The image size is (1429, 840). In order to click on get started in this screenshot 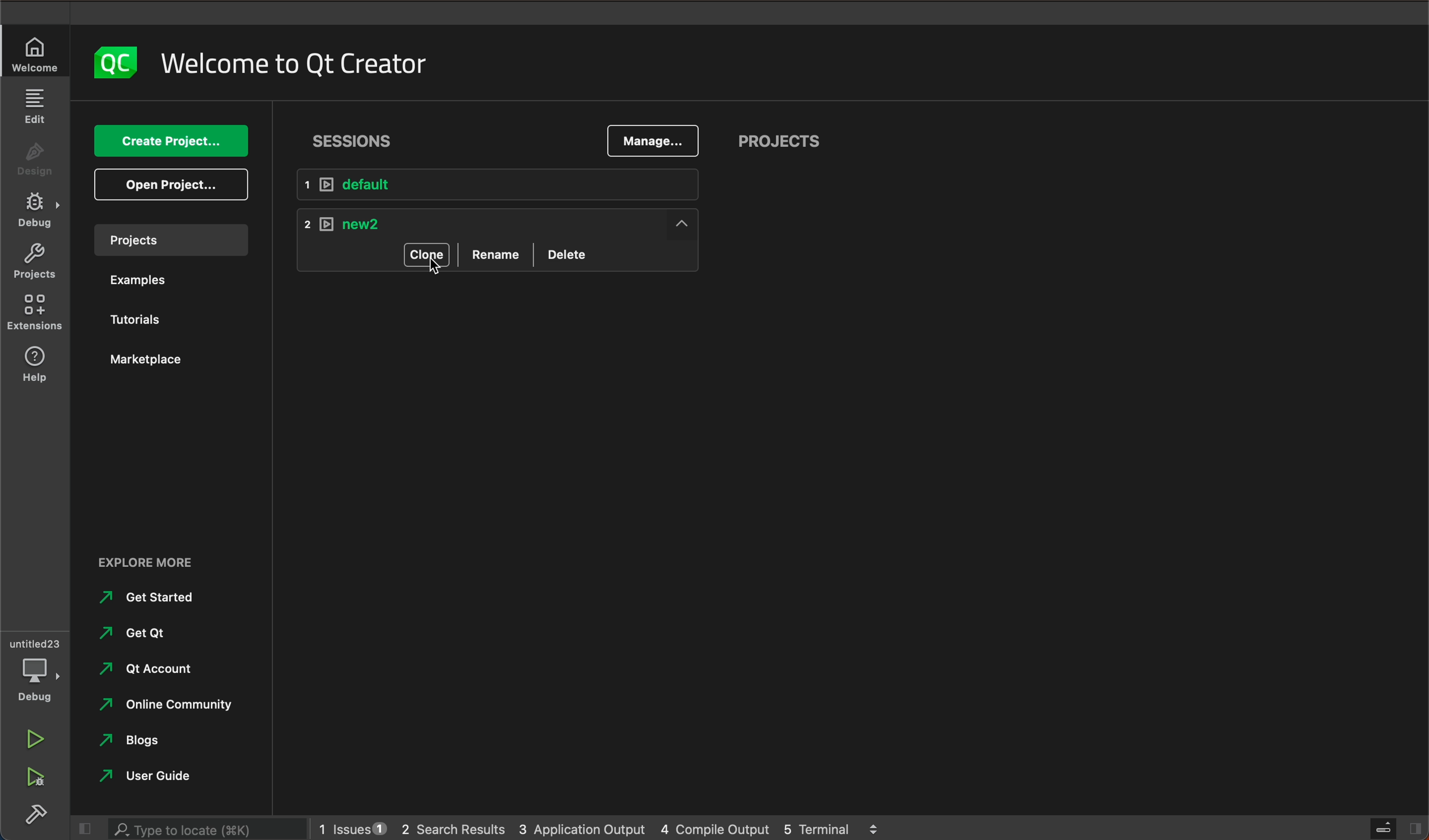, I will do `click(145, 598)`.